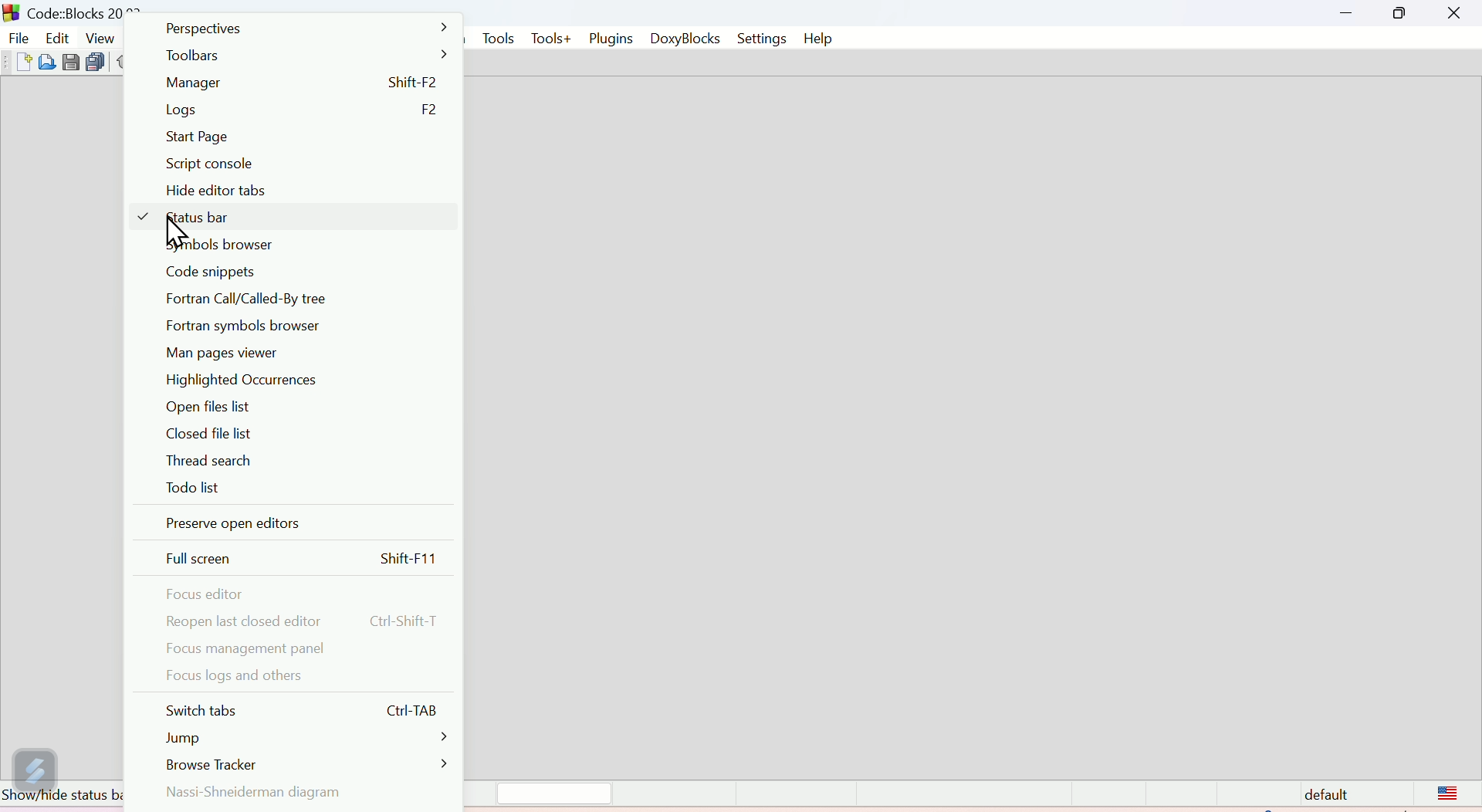 This screenshot has height=812, width=1482. I want to click on Full screen, so click(308, 554).